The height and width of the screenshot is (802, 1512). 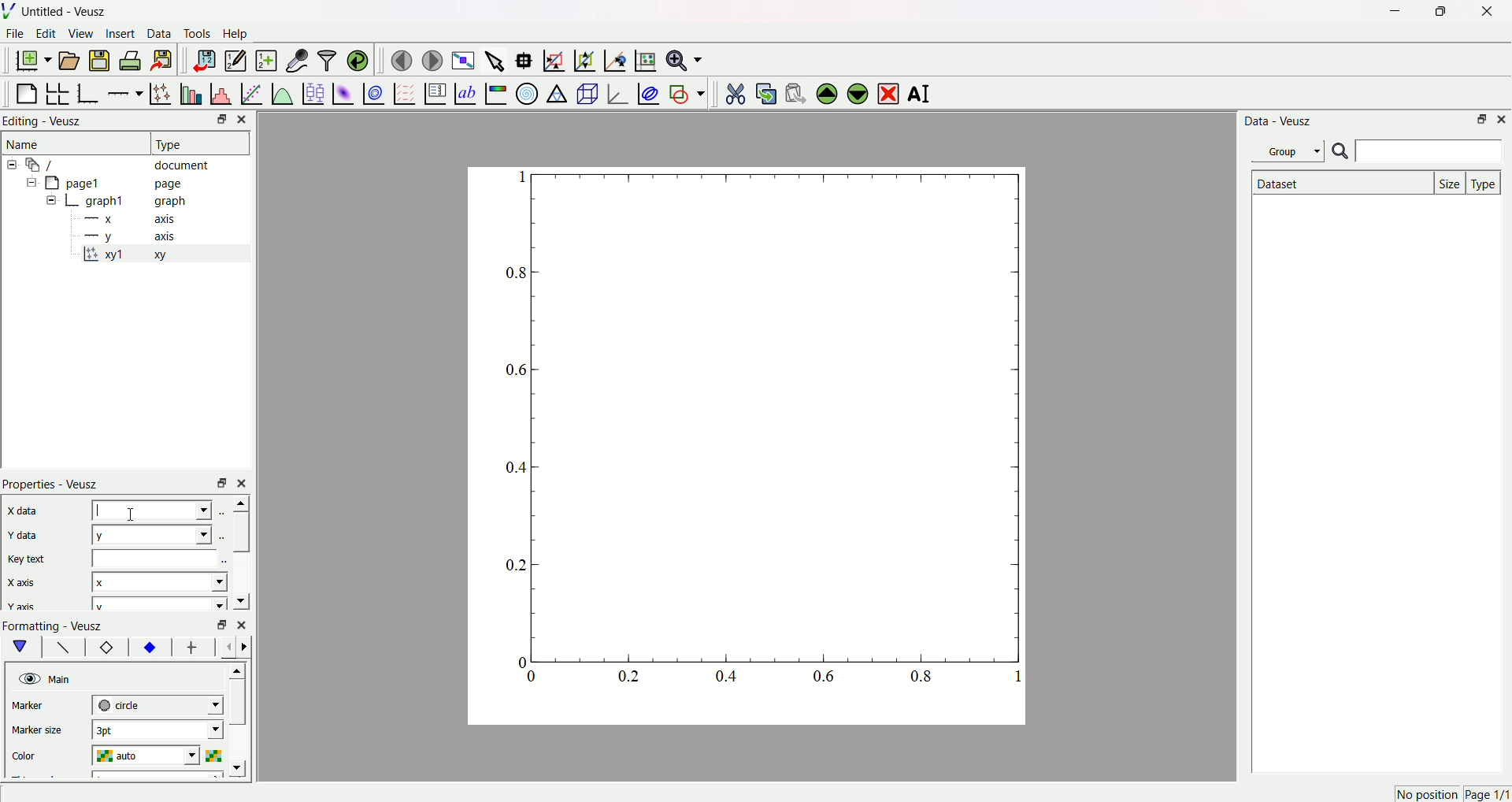 What do you see at coordinates (1480, 121) in the screenshot?
I see `Minimize` at bounding box center [1480, 121].